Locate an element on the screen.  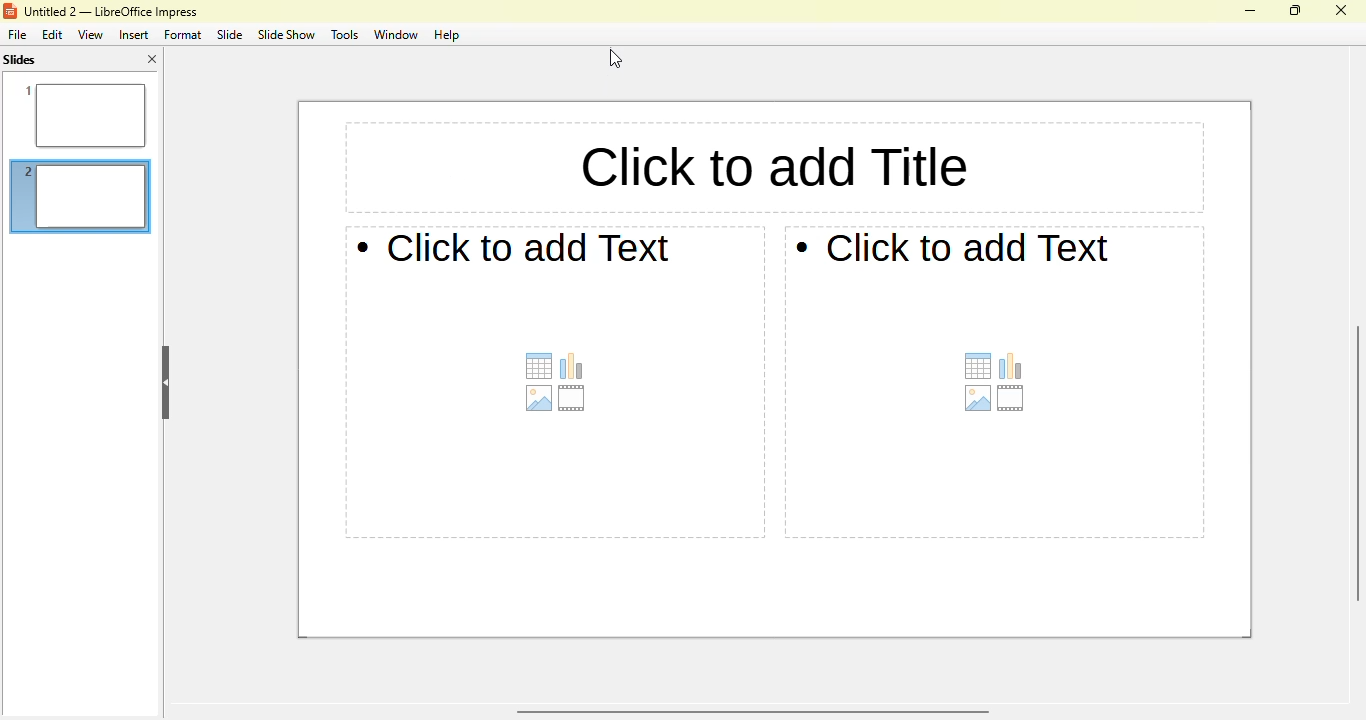
view is located at coordinates (90, 34).